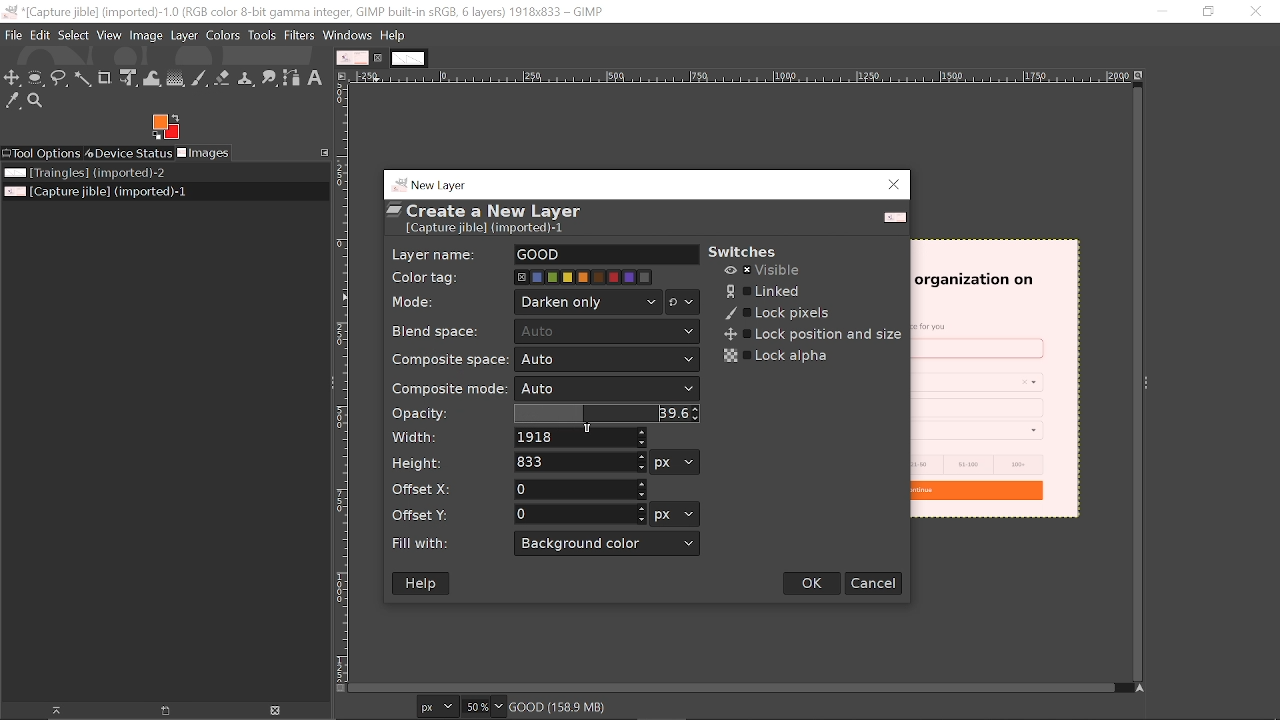 The image size is (1280, 720). I want to click on Access this image menu, so click(342, 76).